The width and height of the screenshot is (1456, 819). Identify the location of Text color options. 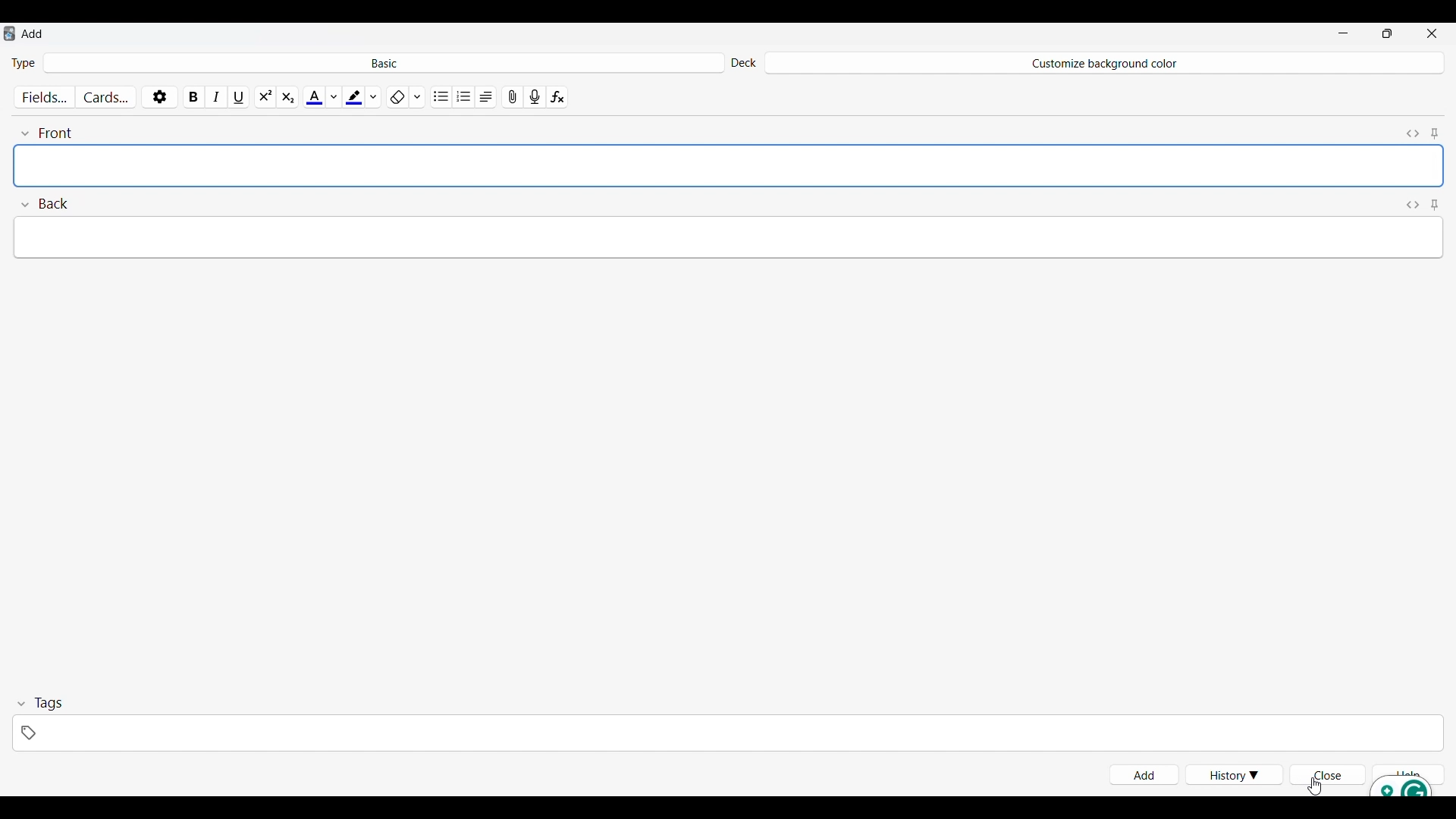
(333, 95).